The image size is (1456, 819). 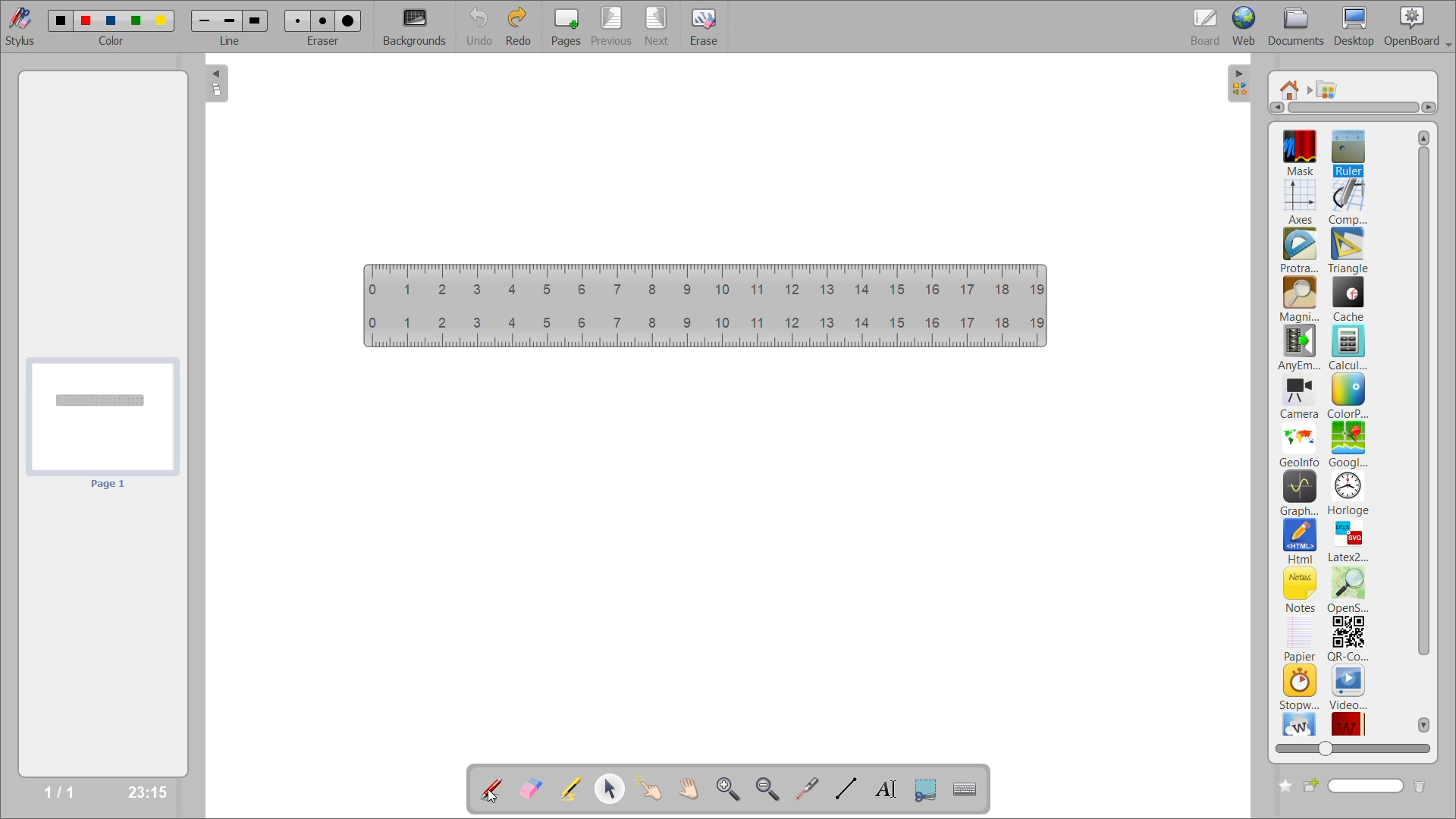 I want to click on highlight, so click(x=576, y=790).